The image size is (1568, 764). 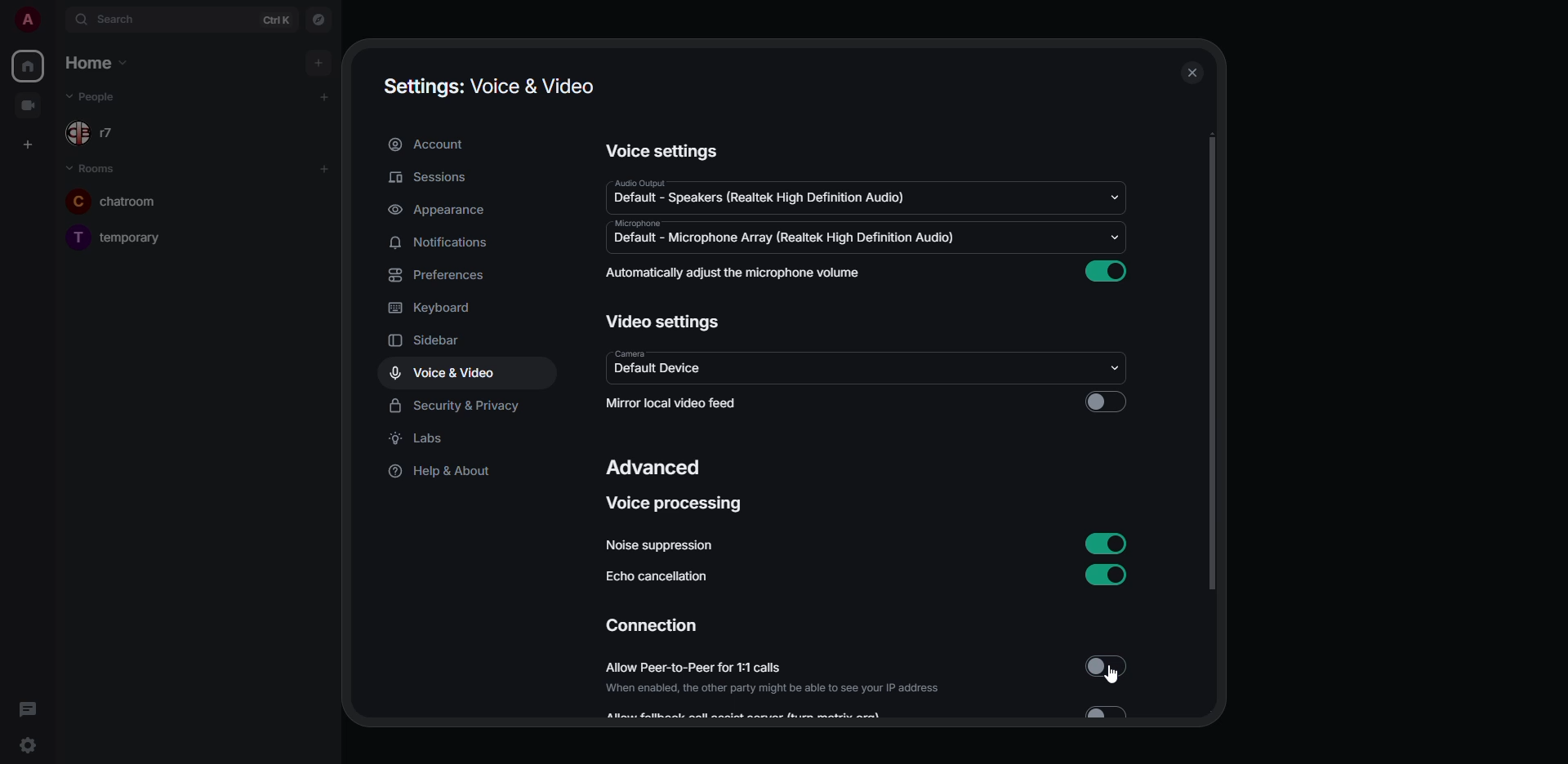 What do you see at coordinates (654, 465) in the screenshot?
I see `advanced` at bounding box center [654, 465].